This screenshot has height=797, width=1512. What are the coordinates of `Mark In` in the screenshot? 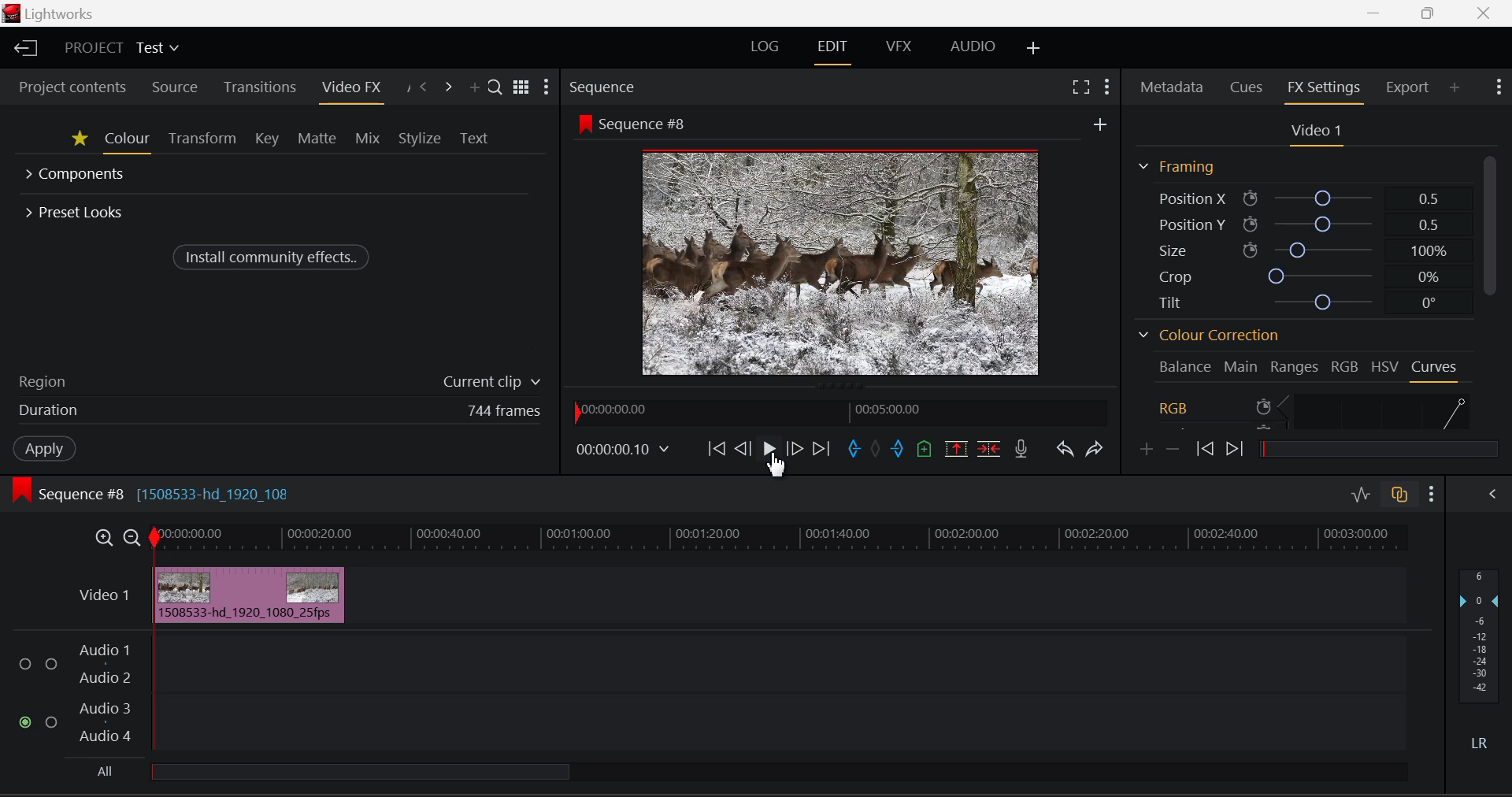 It's located at (854, 448).